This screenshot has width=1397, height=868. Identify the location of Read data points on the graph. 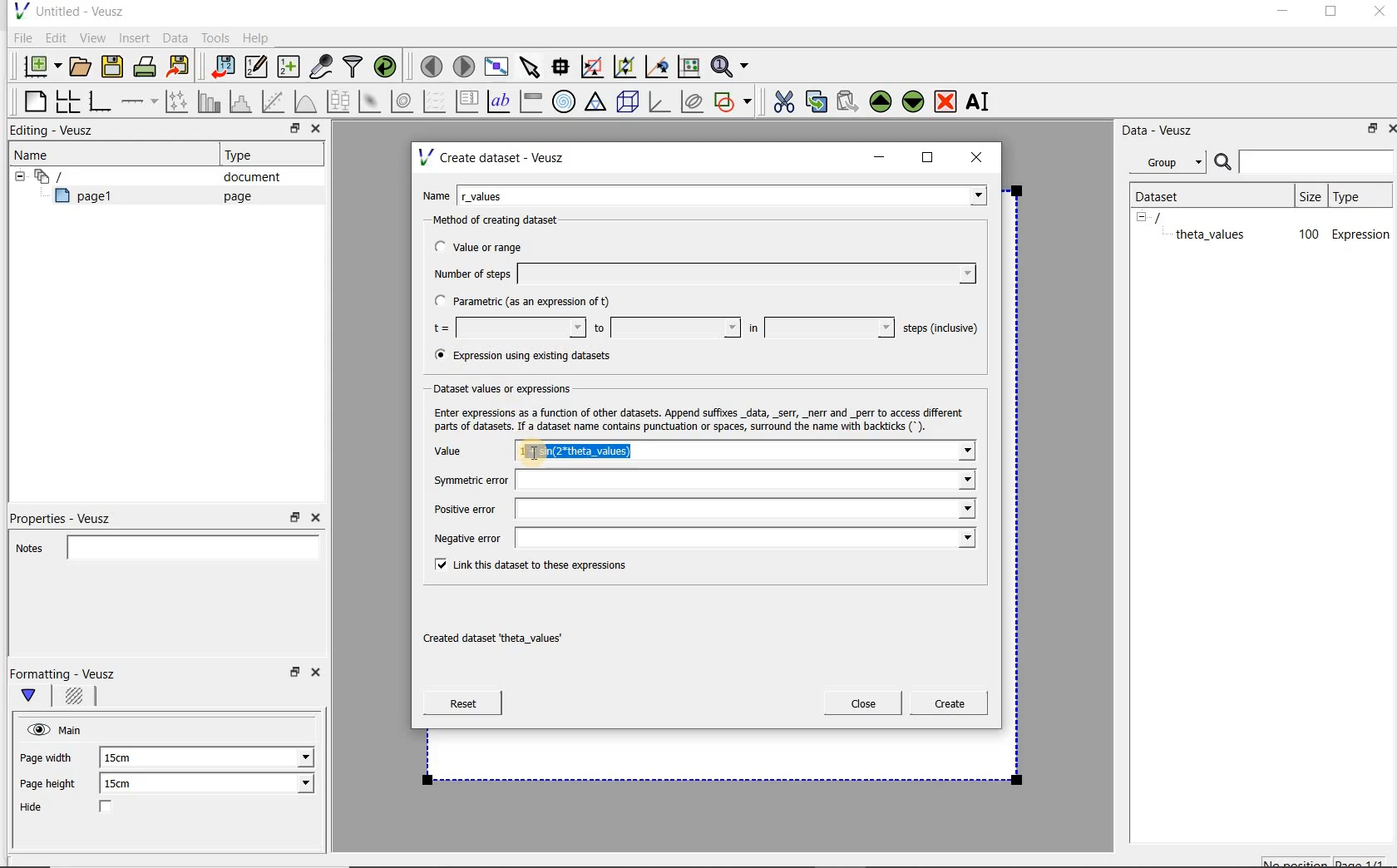
(563, 67).